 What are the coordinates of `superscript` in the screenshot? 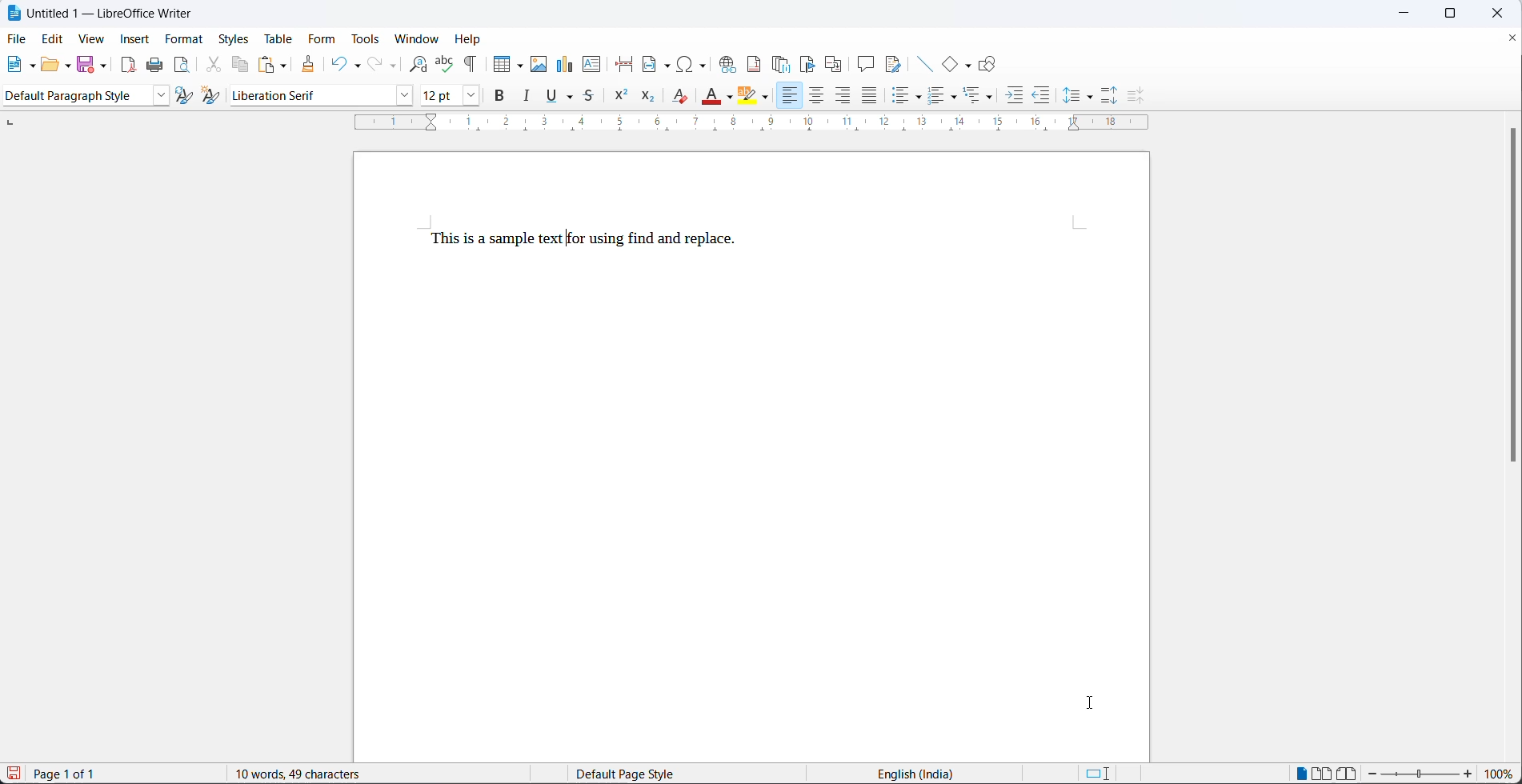 It's located at (620, 99).